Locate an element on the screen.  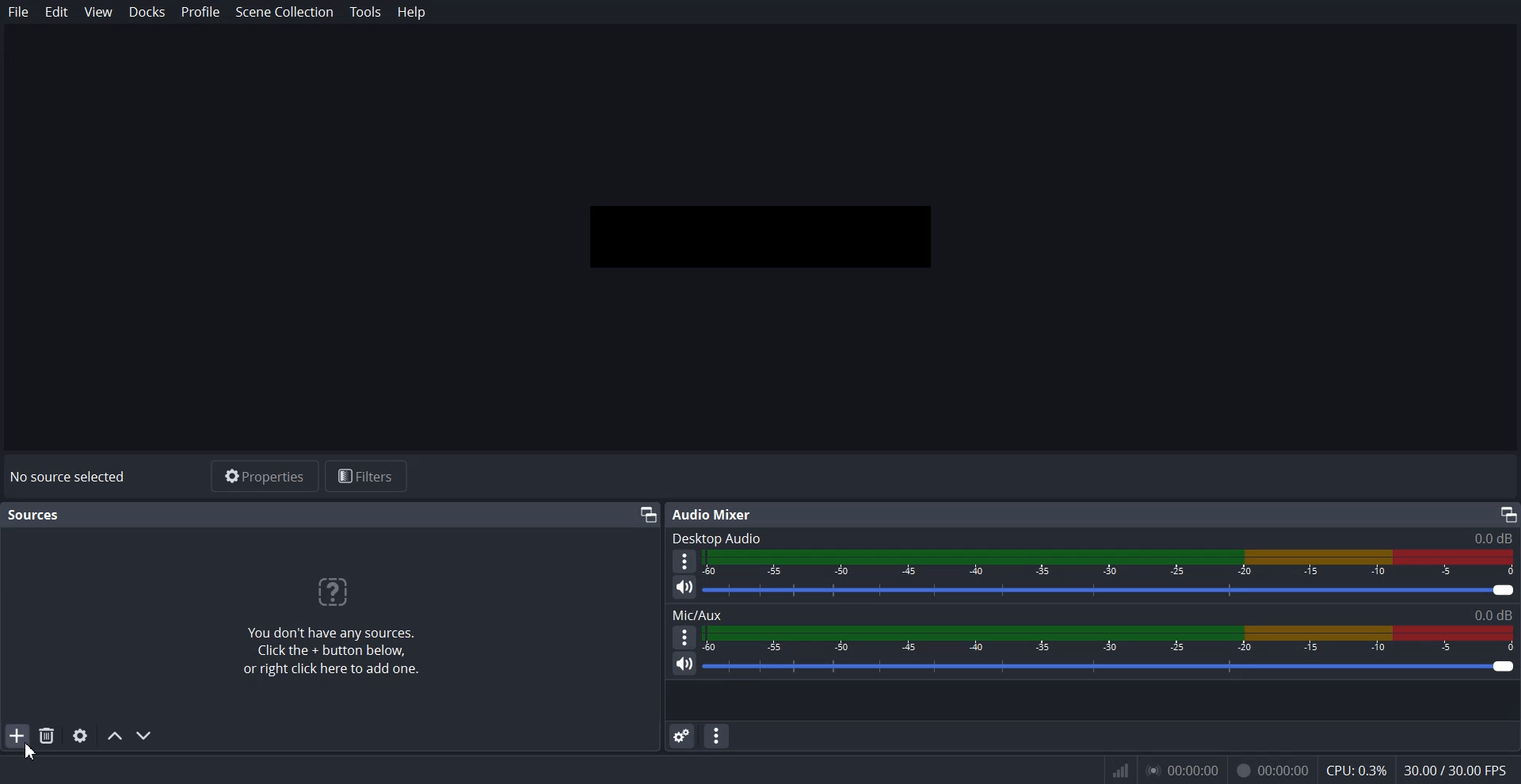
Move source up is located at coordinates (115, 736).